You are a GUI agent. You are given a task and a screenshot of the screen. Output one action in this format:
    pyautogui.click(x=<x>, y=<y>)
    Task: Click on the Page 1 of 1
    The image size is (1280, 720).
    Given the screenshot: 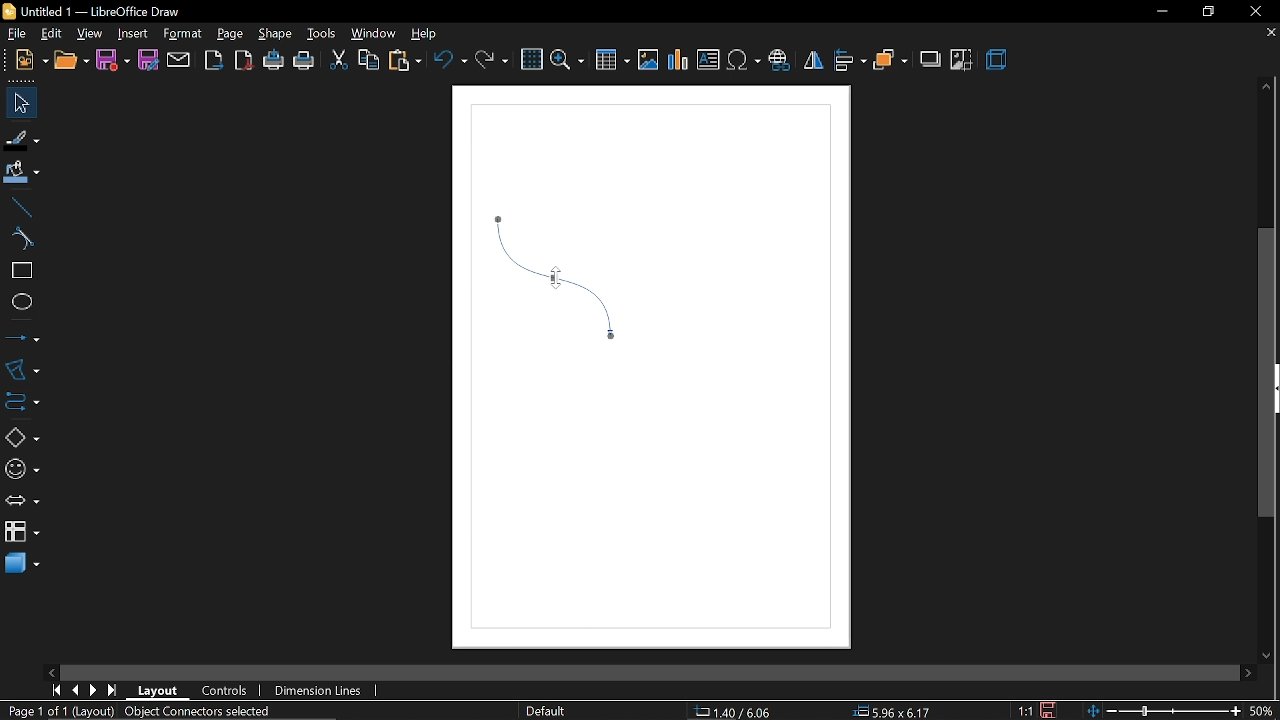 What is the action you would take?
    pyautogui.click(x=38, y=711)
    